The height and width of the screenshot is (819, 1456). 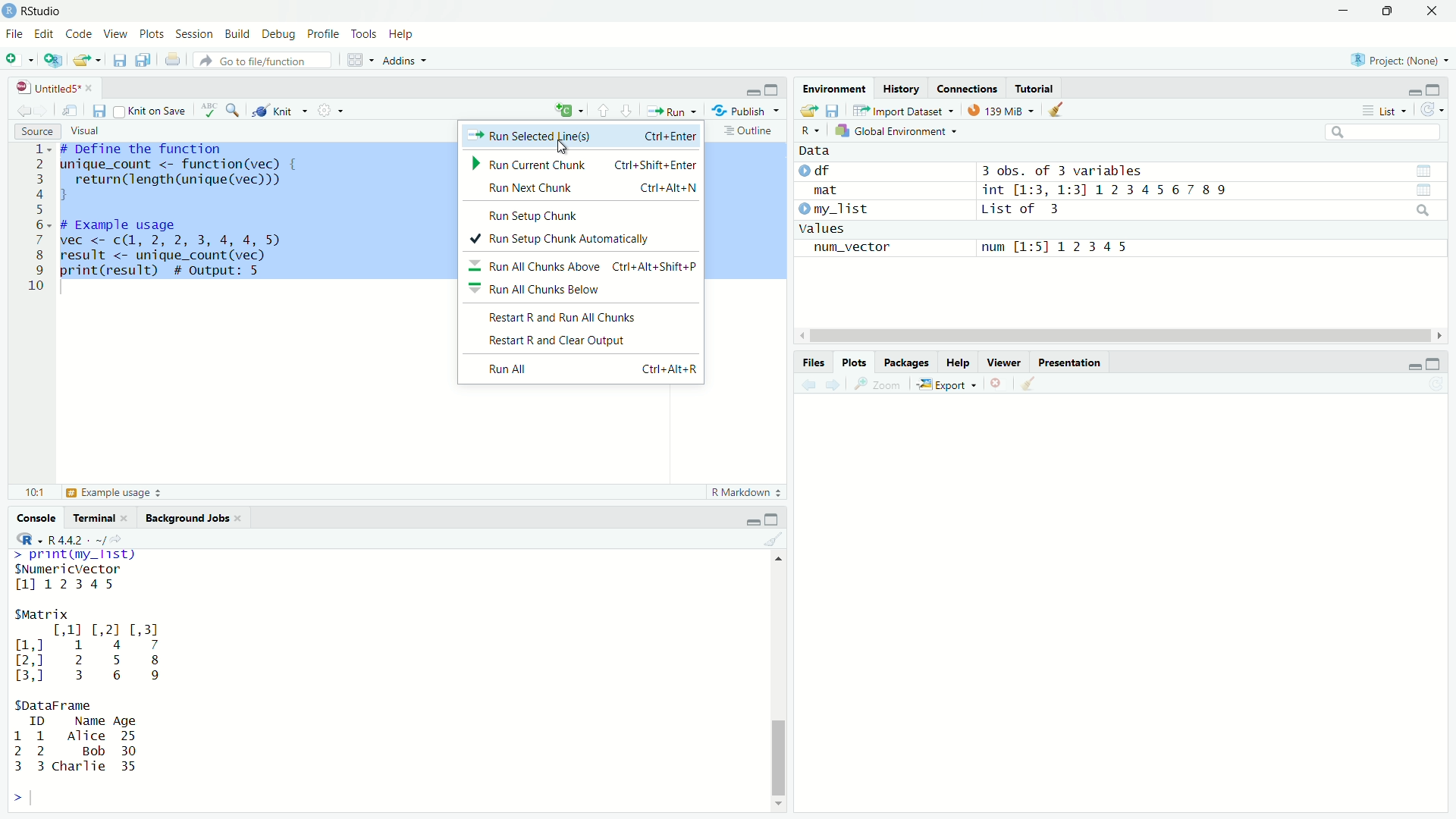 What do you see at coordinates (1399, 60) in the screenshot?
I see `Project(None)` at bounding box center [1399, 60].